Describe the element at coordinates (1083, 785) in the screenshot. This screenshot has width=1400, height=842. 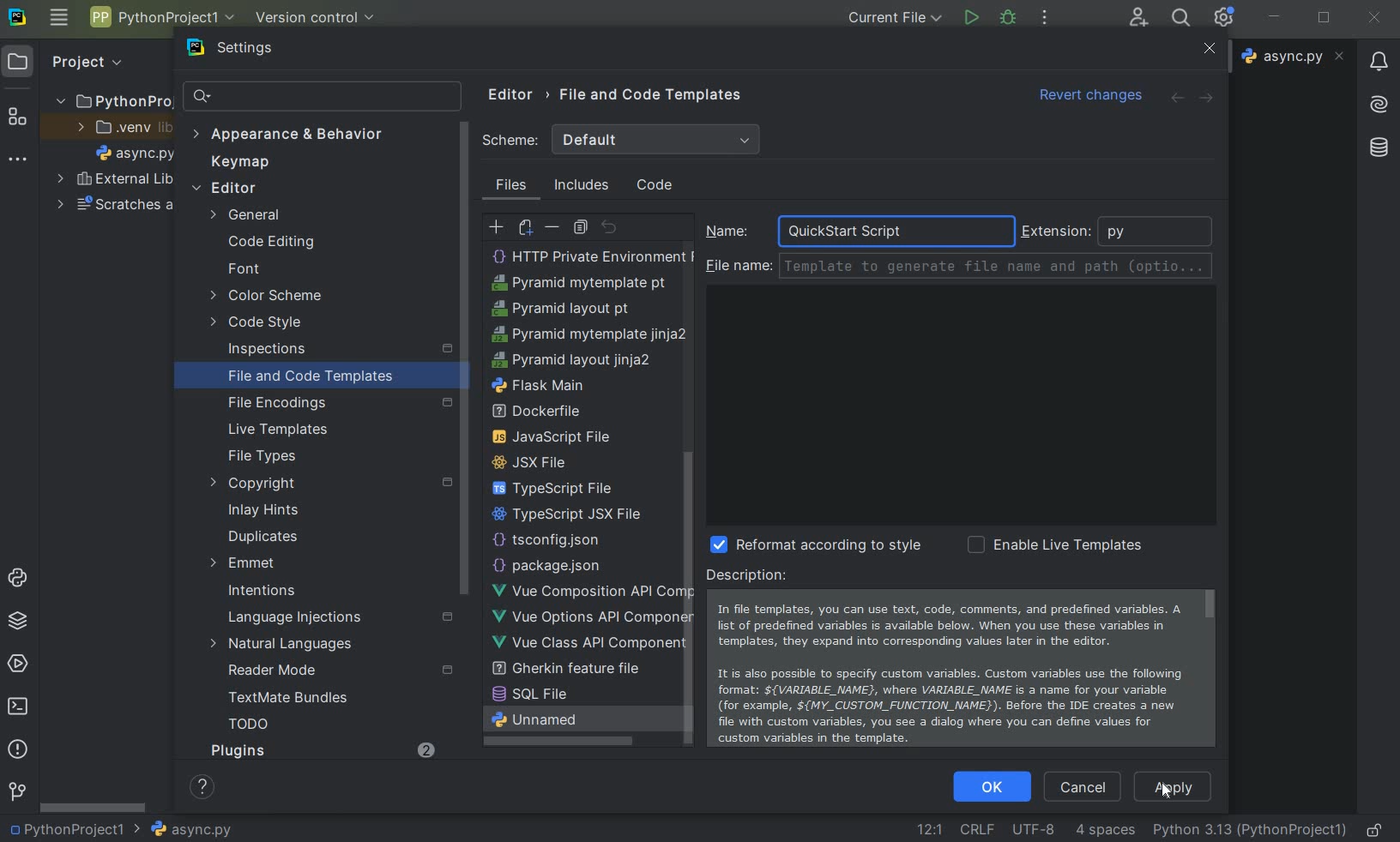
I see `cancel` at that location.